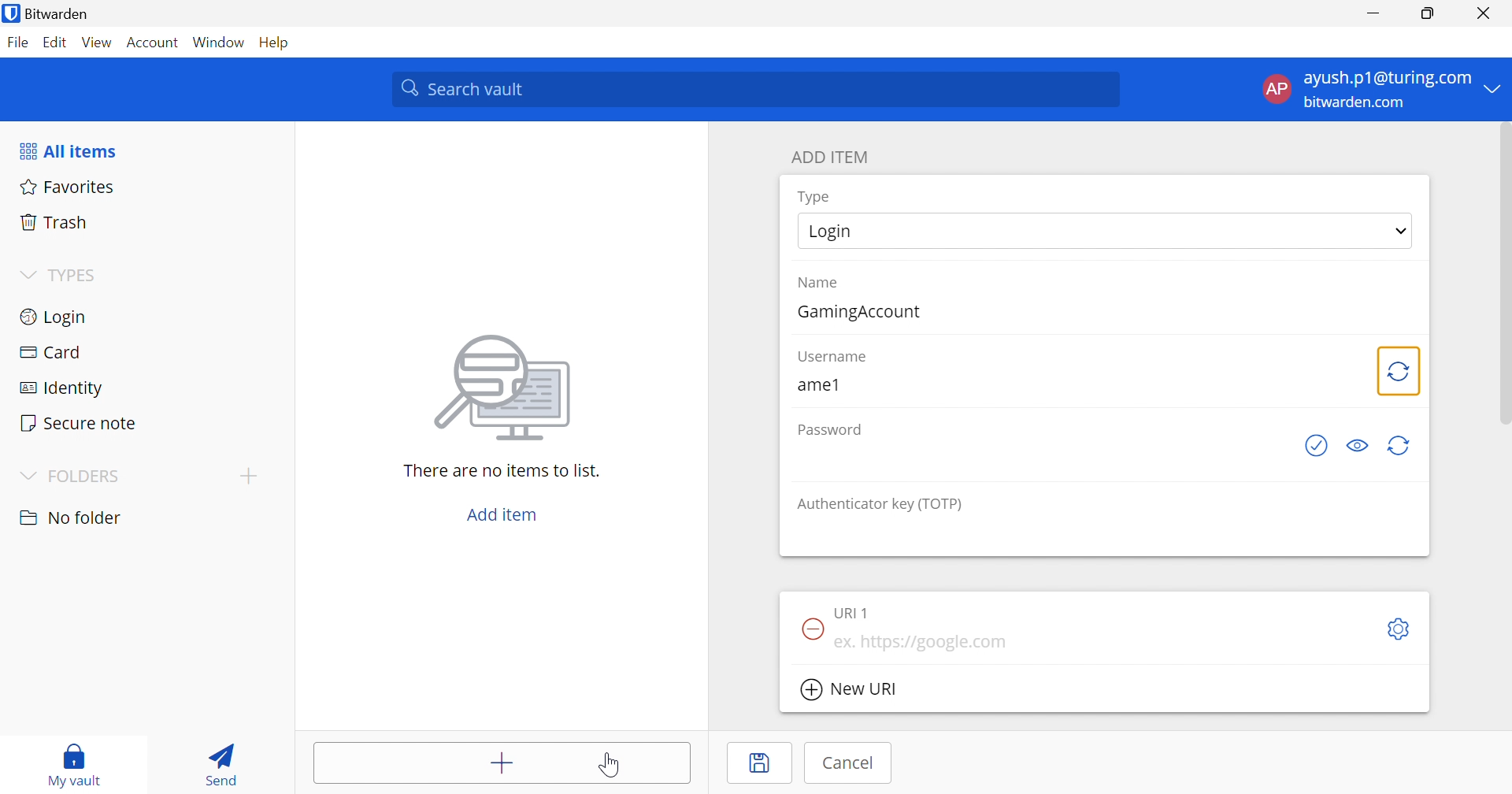 The width and height of the screenshot is (1512, 794). Describe the element at coordinates (863, 313) in the screenshot. I see `GamingAccount` at that location.